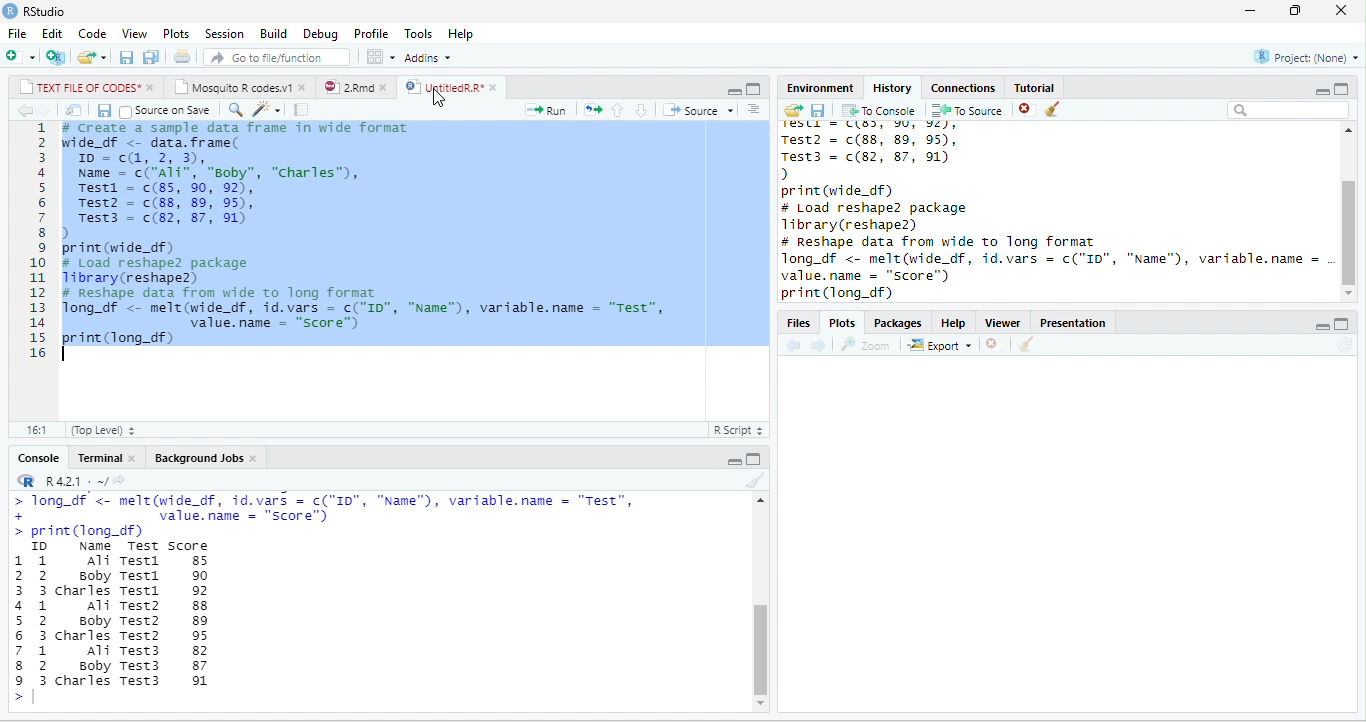 The image size is (1366, 722). Describe the element at coordinates (135, 34) in the screenshot. I see `View` at that location.